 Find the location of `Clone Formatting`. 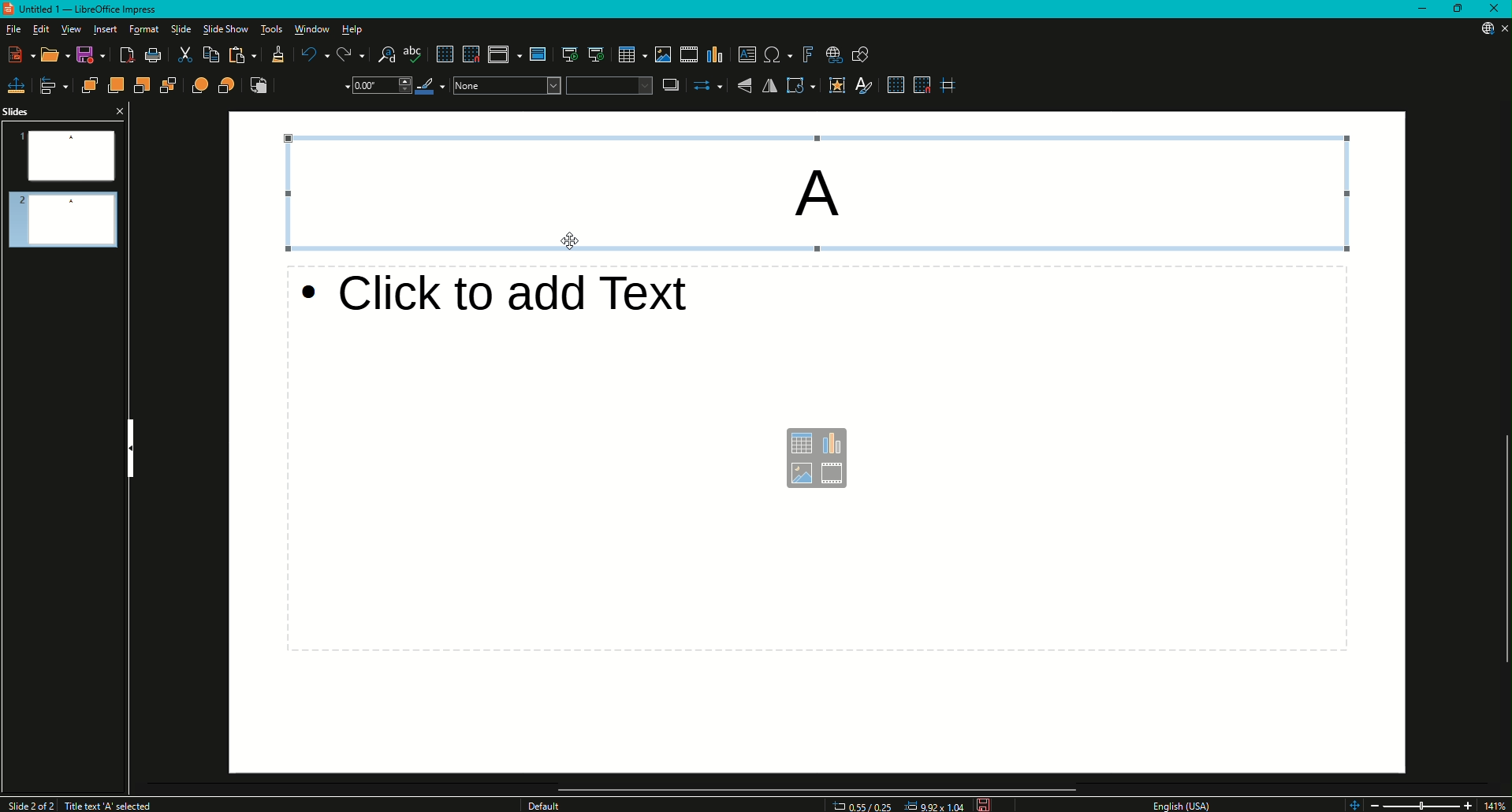

Clone Formatting is located at coordinates (277, 55).